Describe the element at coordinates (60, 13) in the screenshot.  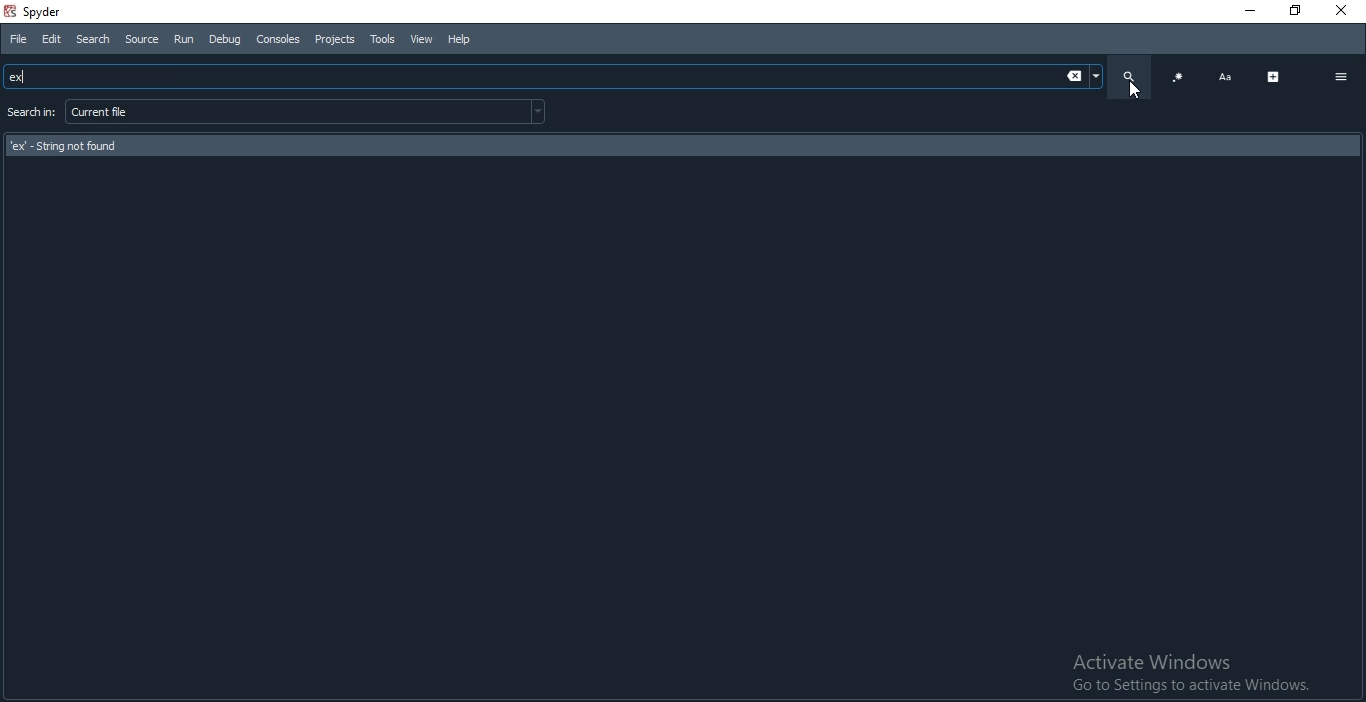
I see `spyder` at that location.